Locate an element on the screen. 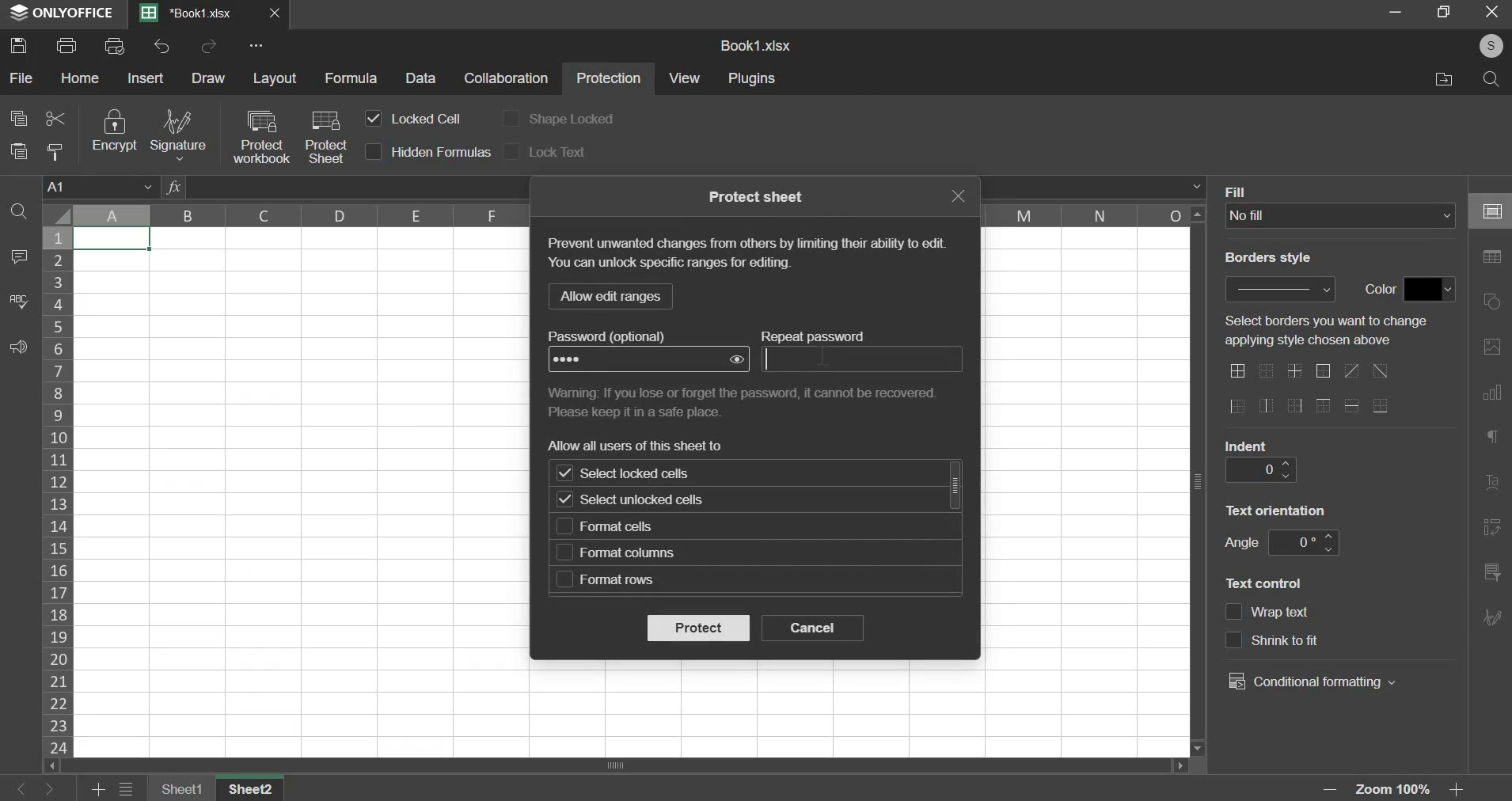  home is located at coordinates (81, 78).